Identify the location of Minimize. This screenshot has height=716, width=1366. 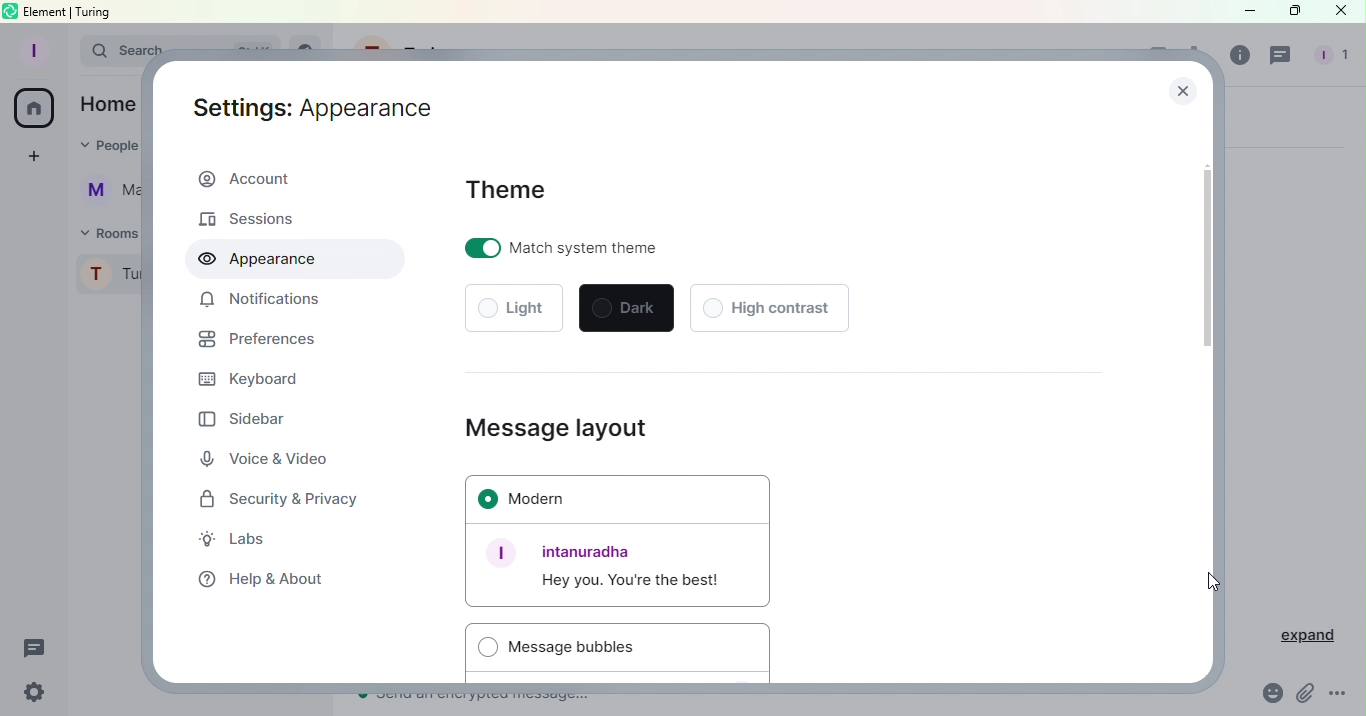
(1242, 10).